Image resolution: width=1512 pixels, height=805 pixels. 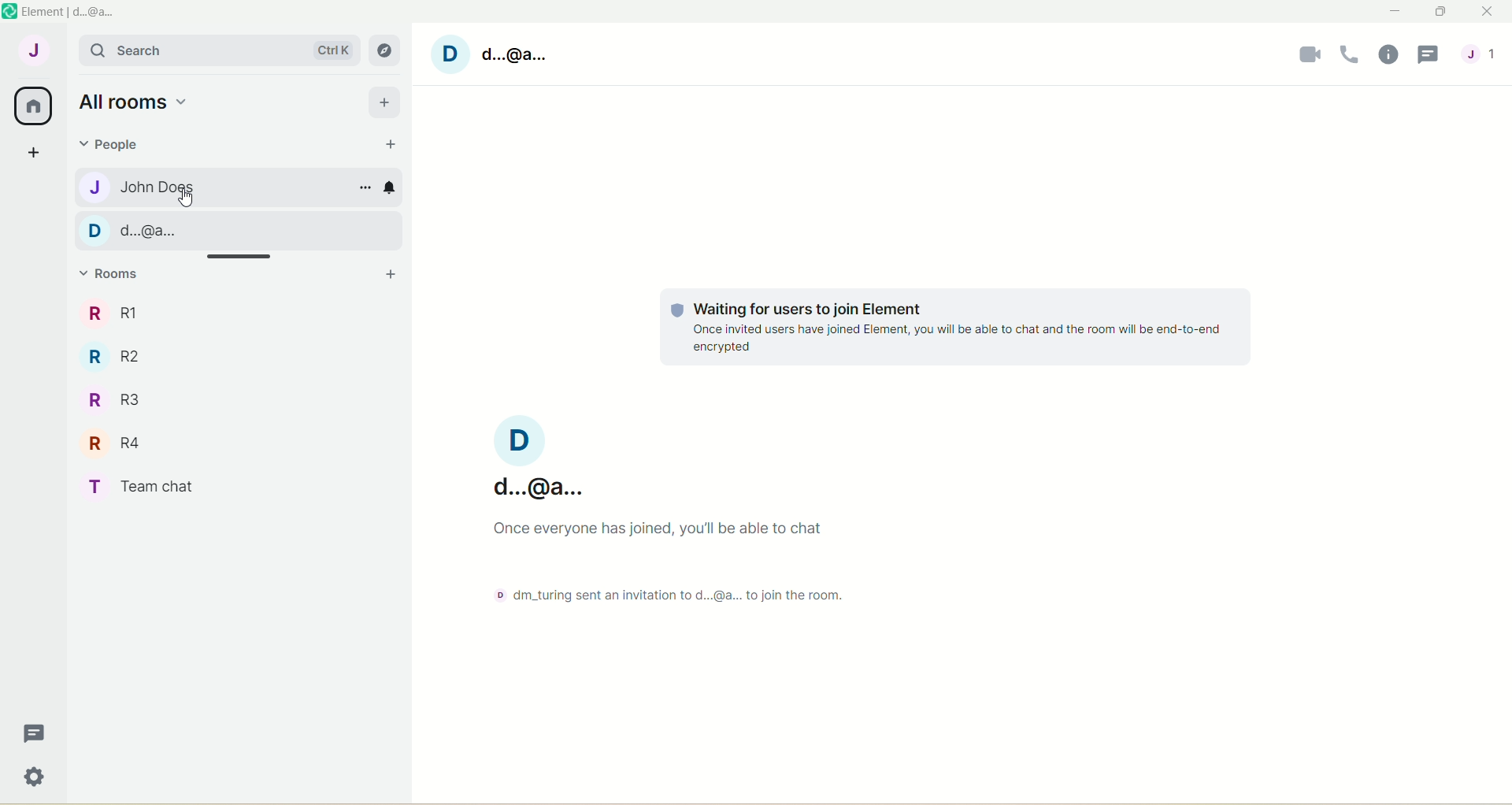 What do you see at coordinates (120, 399) in the screenshot?
I see `R R3` at bounding box center [120, 399].